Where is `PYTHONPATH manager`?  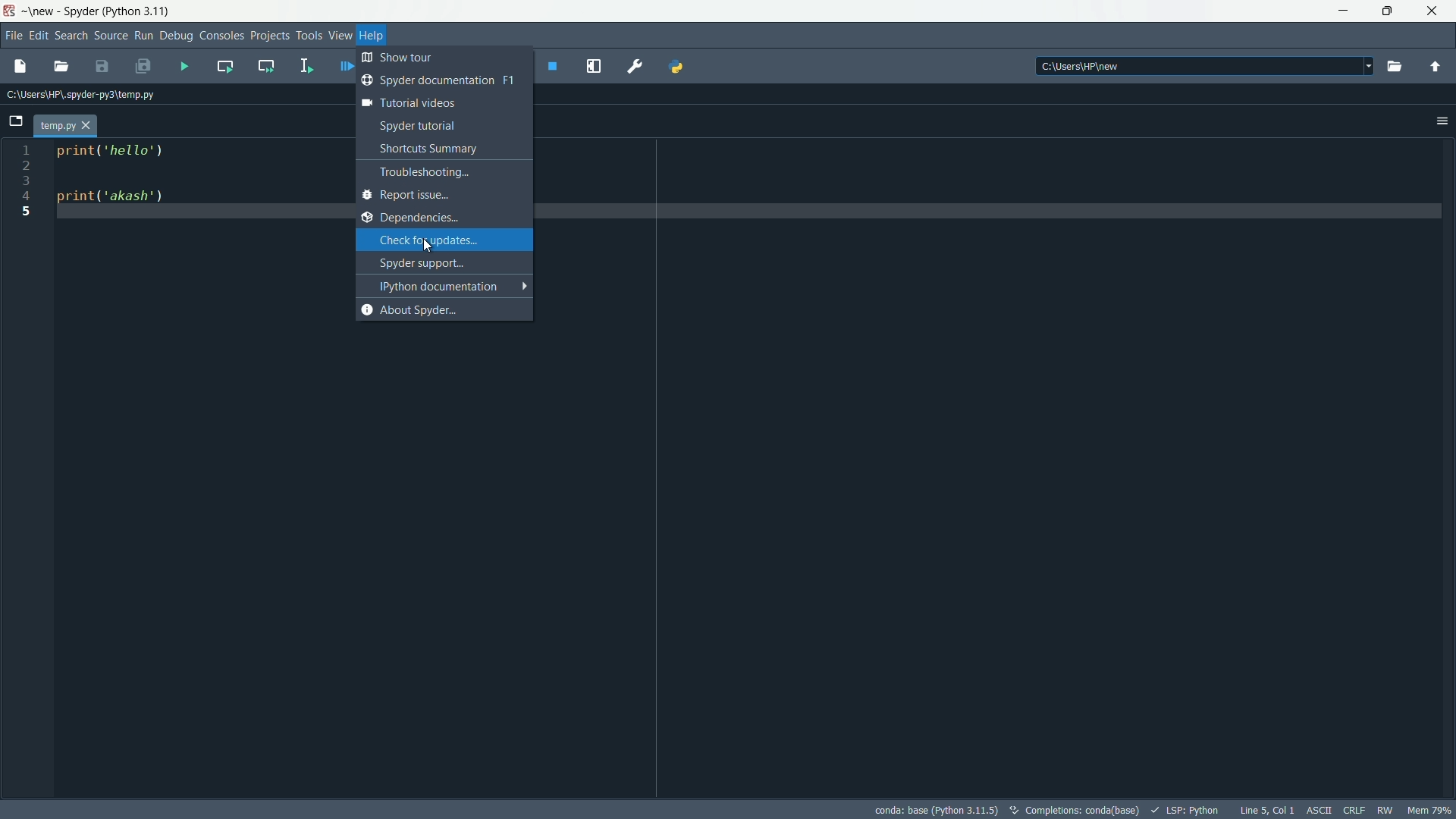
PYTHONPATH manager is located at coordinates (679, 67).